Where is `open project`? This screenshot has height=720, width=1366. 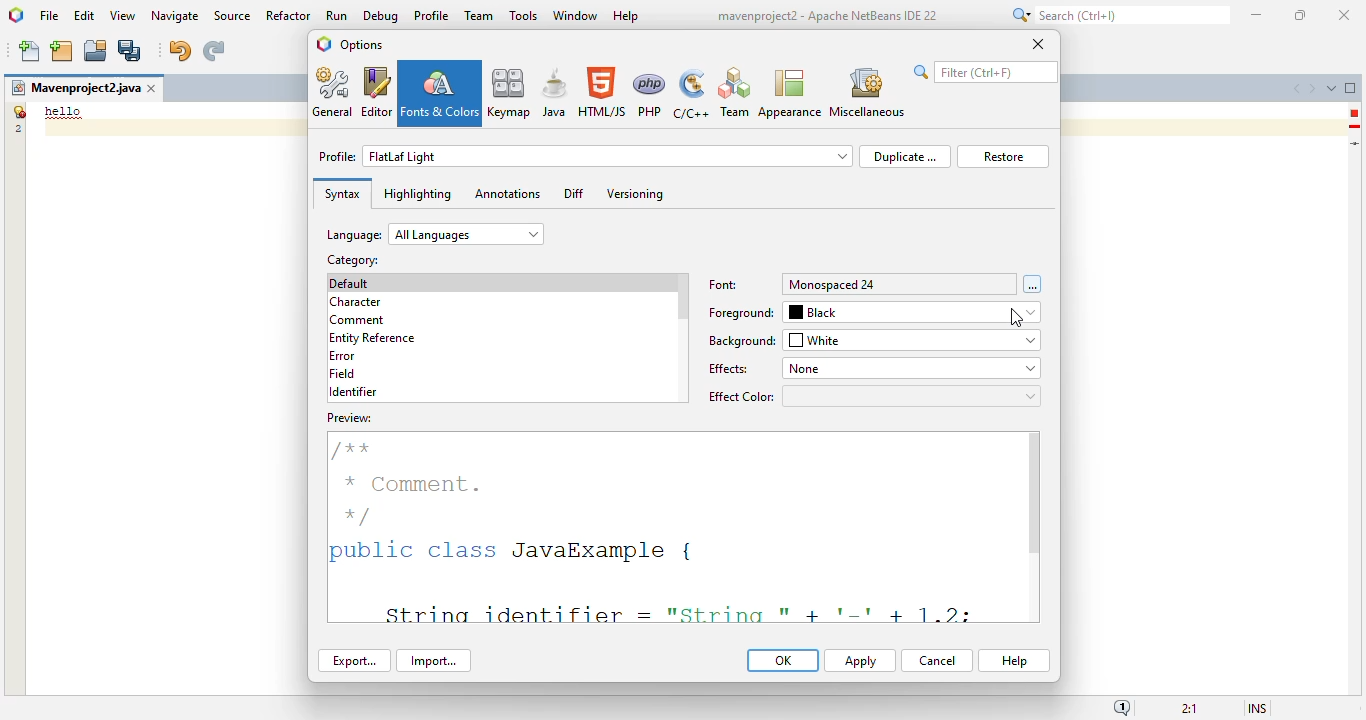 open project is located at coordinates (96, 51).